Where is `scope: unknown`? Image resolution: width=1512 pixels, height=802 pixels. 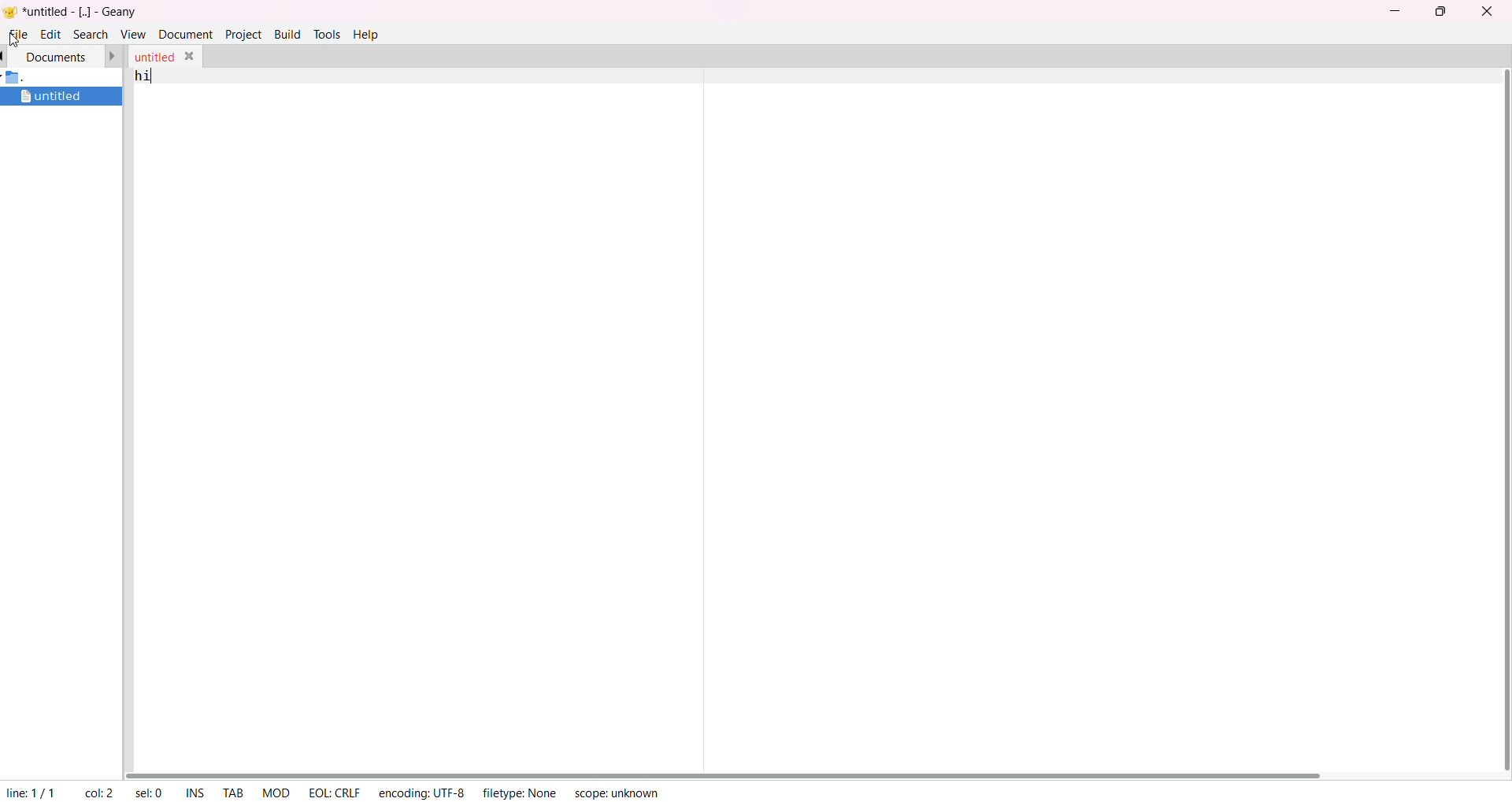 scope: unknown is located at coordinates (617, 792).